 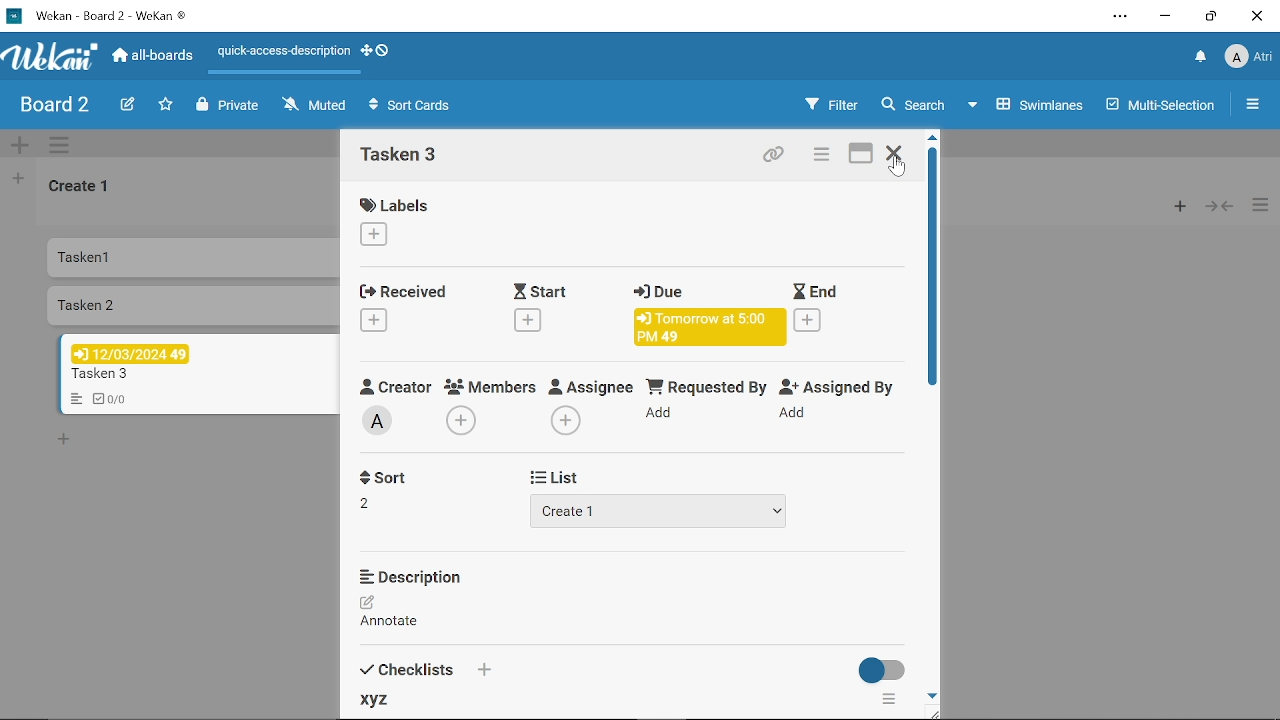 What do you see at coordinates (413, 576) in the screenshot?
I see `Description` at bounding box center [413, 576].